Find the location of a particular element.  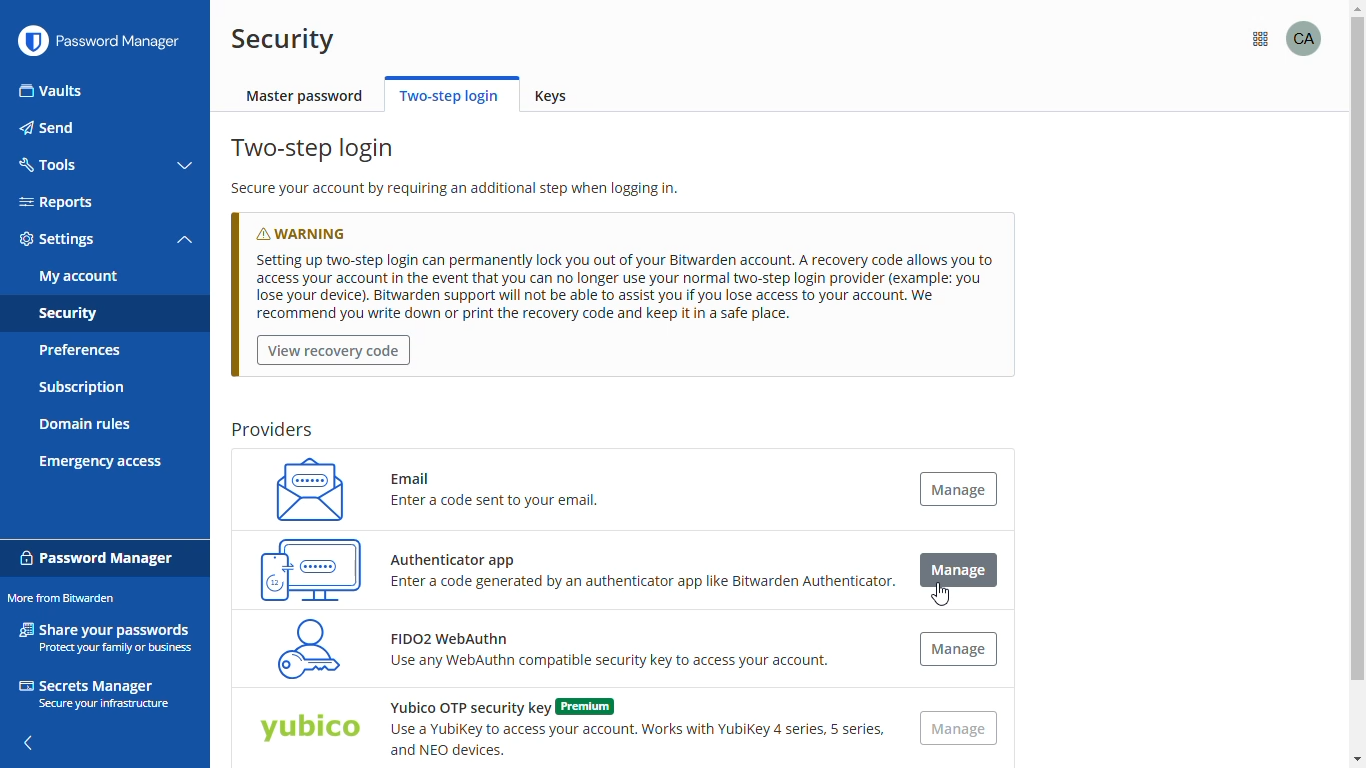

two-step login is located at coordinates (315, 149).